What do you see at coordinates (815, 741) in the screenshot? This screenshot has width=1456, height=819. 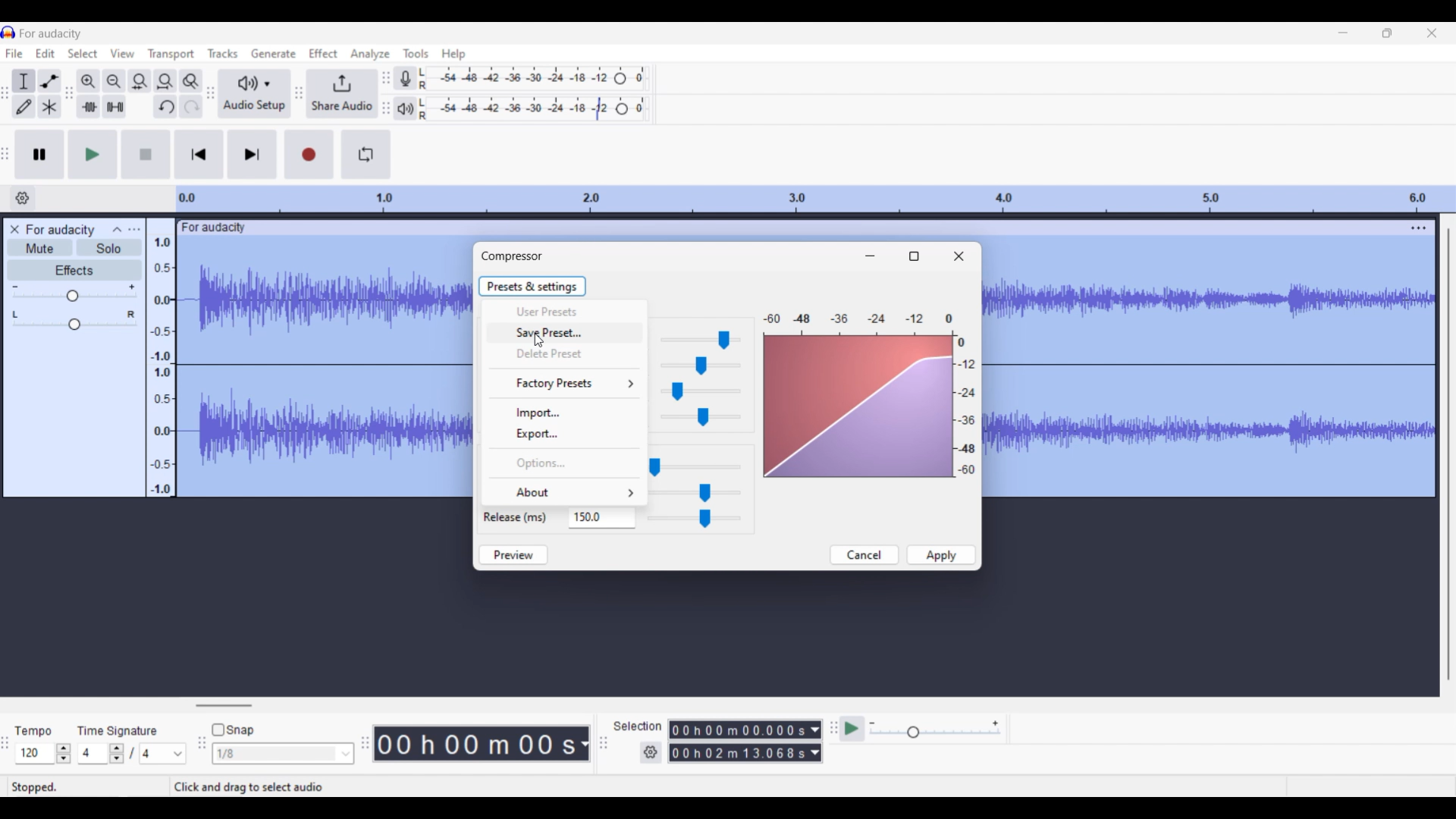 I see `Duration measurement` at bounding box center [815, 741].